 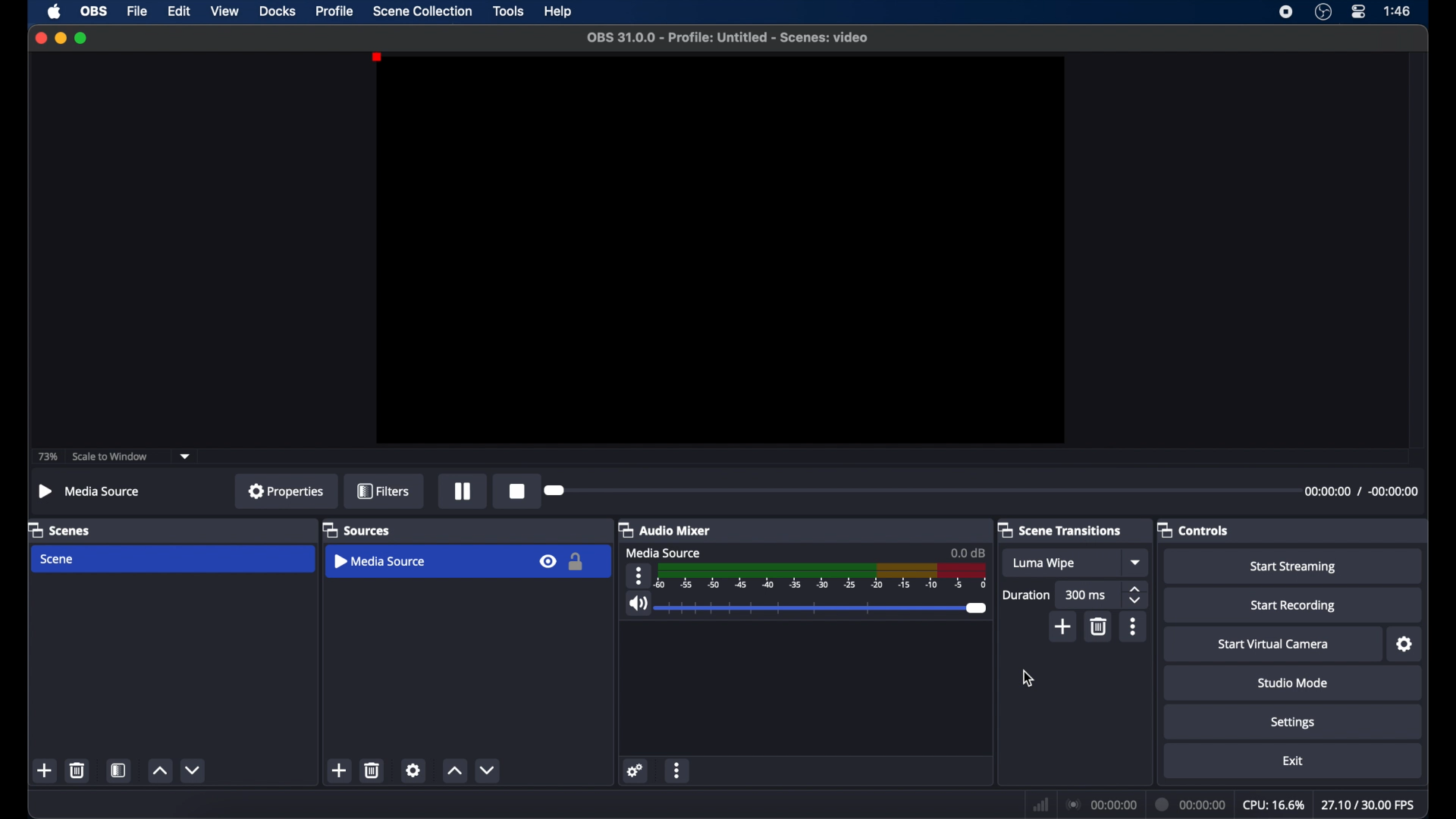 I want to click on delete, so click(x=78, y=770).